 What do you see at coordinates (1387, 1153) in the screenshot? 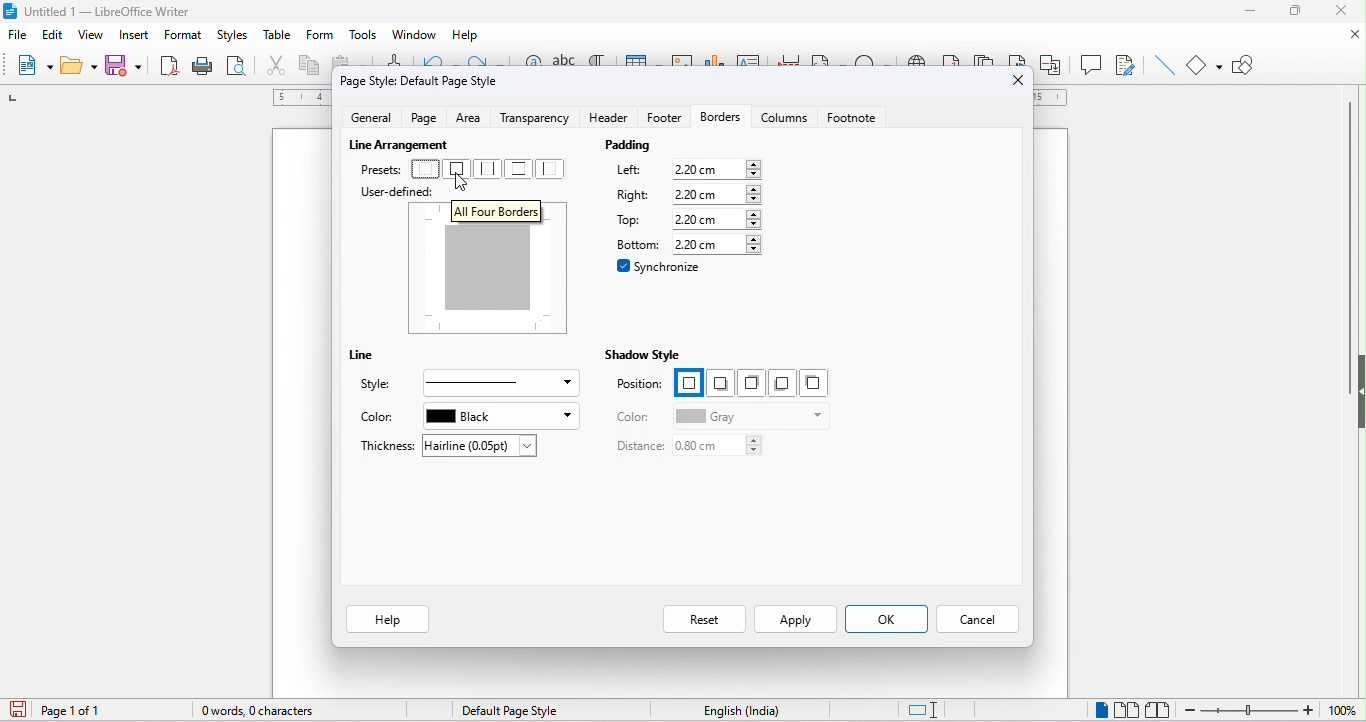
I see `` at bounding box center [1387, 1153].